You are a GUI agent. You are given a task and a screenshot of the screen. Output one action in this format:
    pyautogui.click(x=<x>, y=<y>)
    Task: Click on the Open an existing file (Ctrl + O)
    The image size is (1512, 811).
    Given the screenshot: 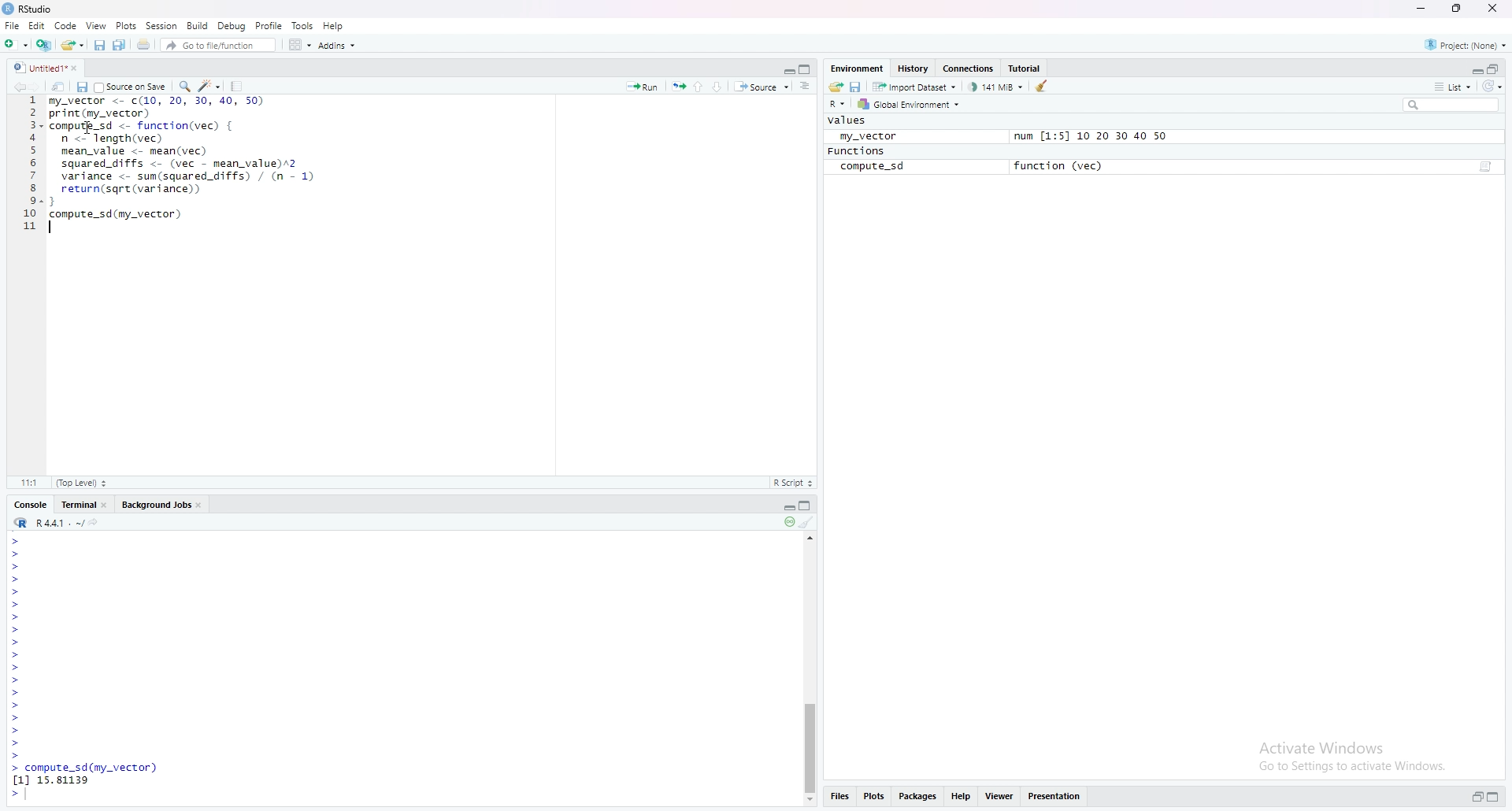 What is the action you would take?
    pyautogui.click(x=72, y=44)
    